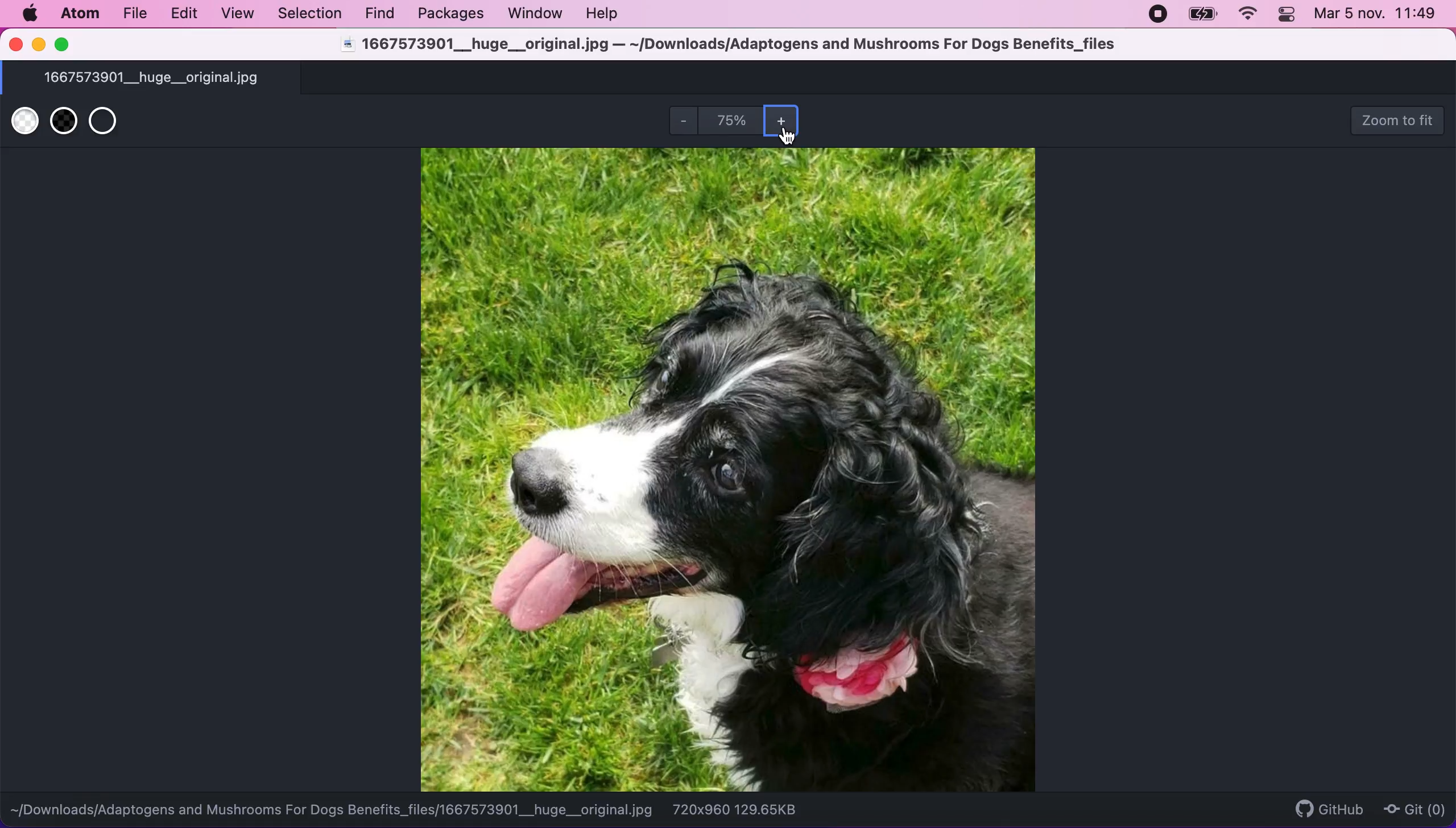  Describe the element at coordinates (731, 470) in the screenshot. I see `zoom in applied` at that location.